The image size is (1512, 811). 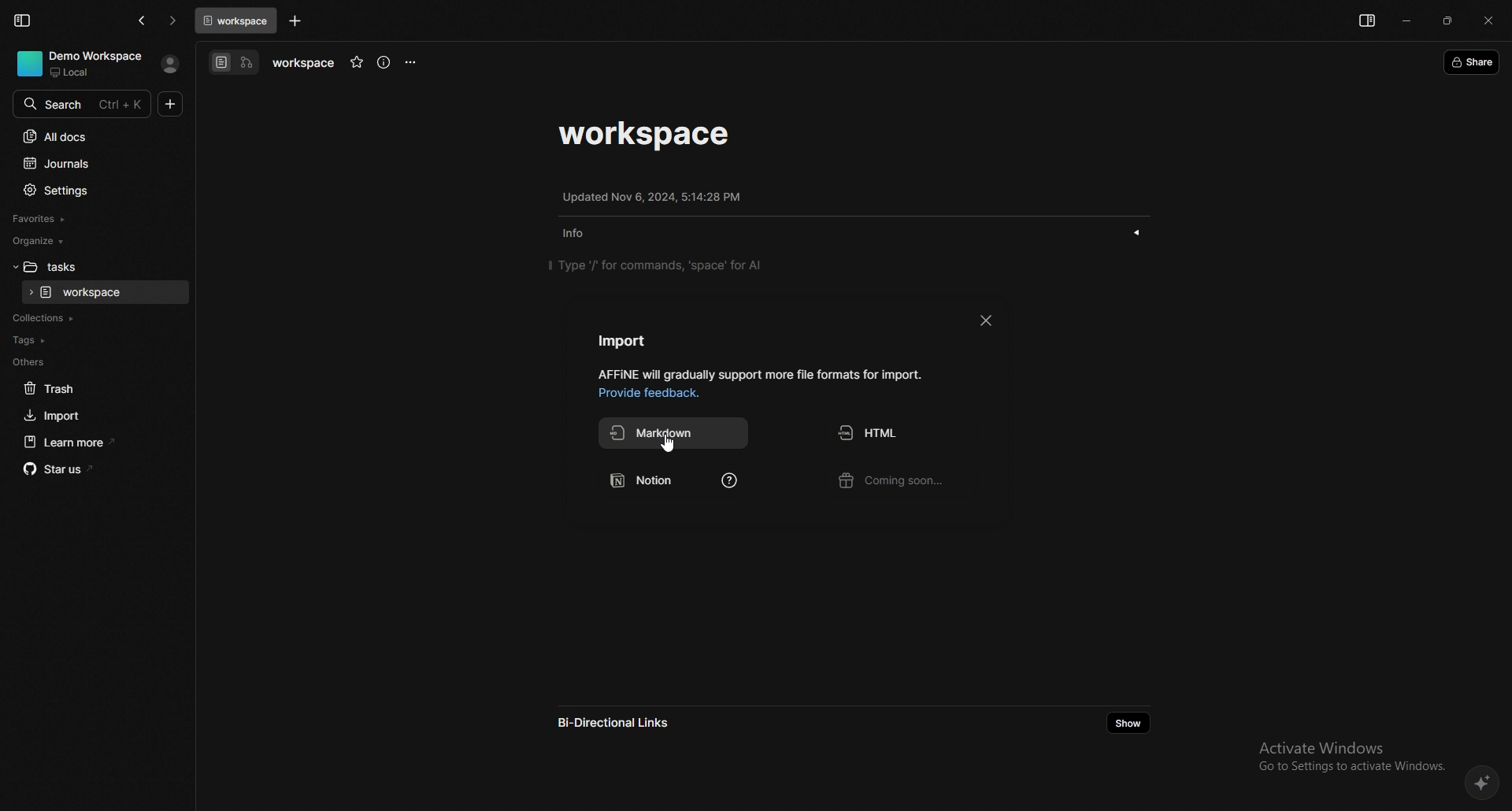 I want to click on favourites, so click(x=87, y=220).